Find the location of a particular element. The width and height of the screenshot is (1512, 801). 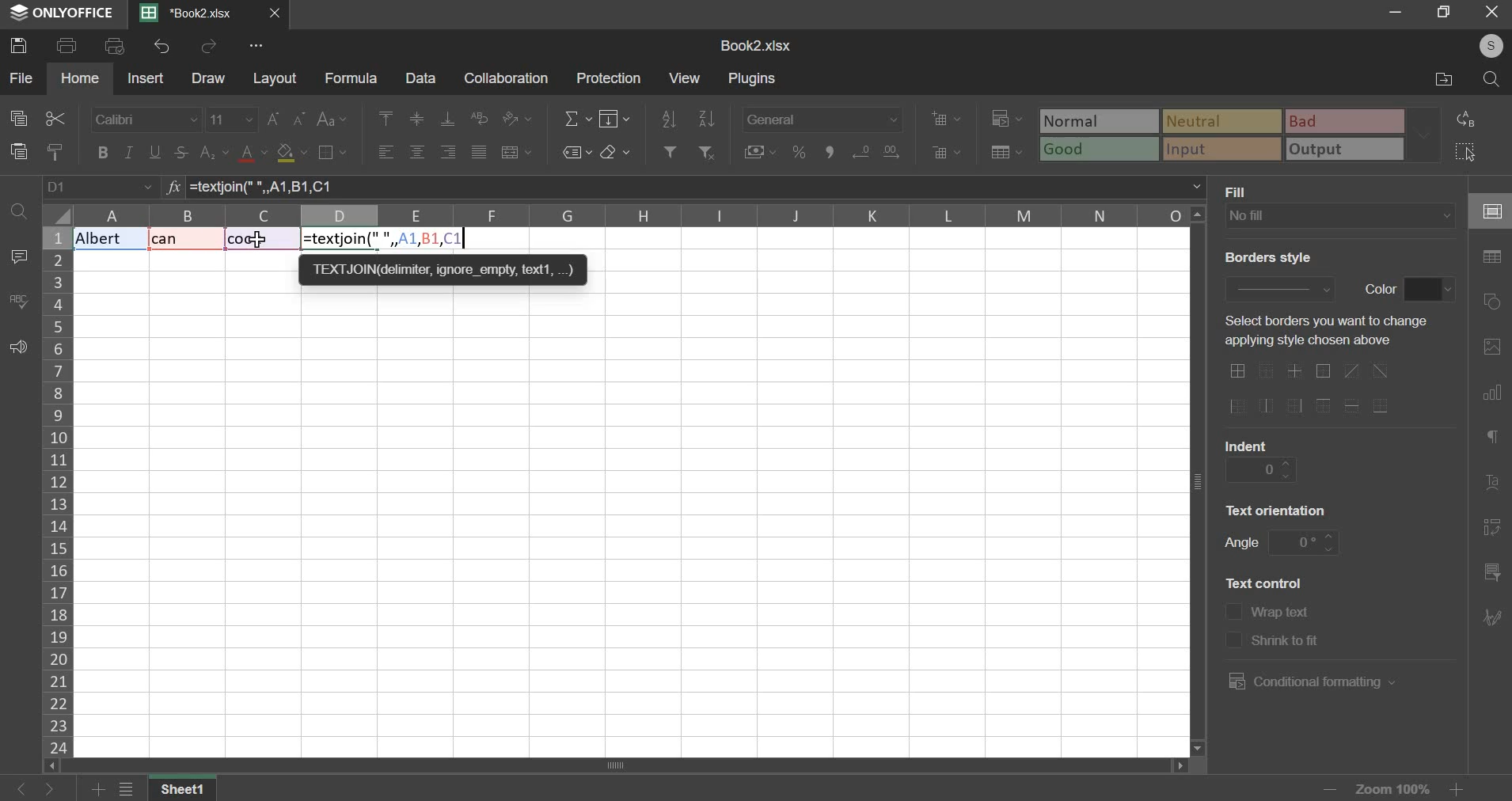

print is located at coordinates (67, 46).